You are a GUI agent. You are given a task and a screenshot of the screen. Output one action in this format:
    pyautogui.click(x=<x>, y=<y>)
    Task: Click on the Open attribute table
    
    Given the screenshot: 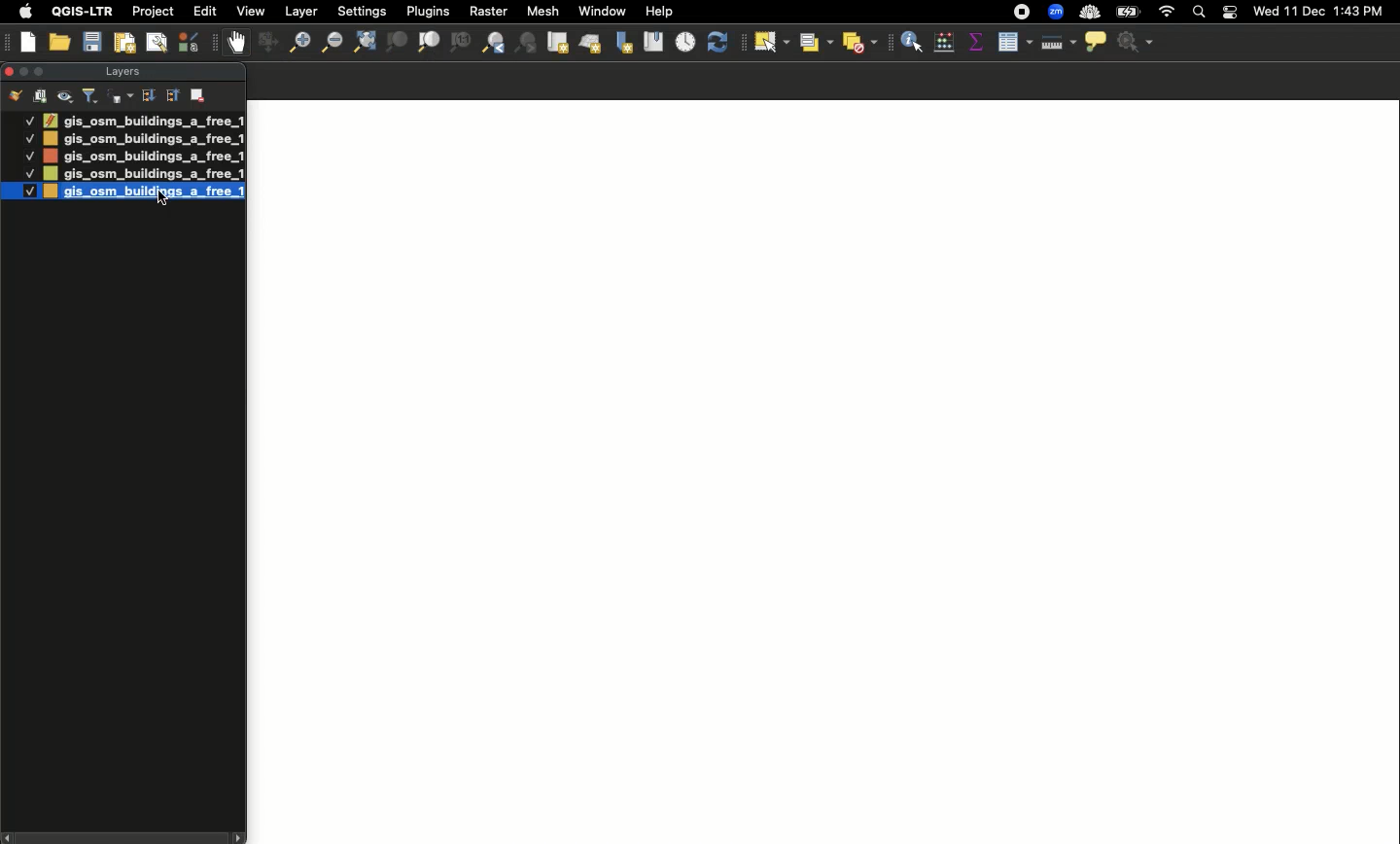 What is the action you would take?
    pyautogui.click(x=1013, y=43)
    